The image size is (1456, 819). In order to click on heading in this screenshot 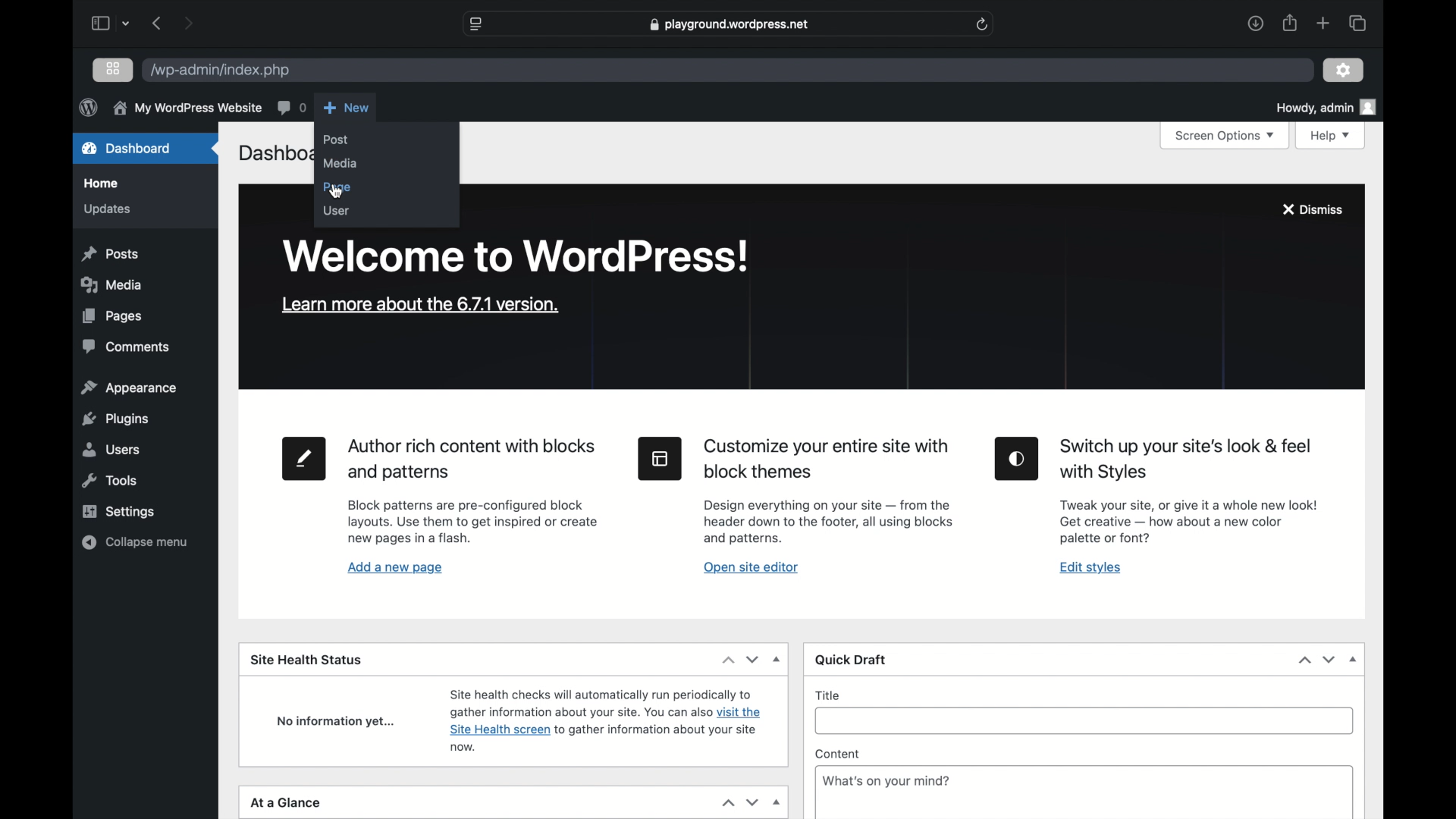, I will do `click(827, 460)`.